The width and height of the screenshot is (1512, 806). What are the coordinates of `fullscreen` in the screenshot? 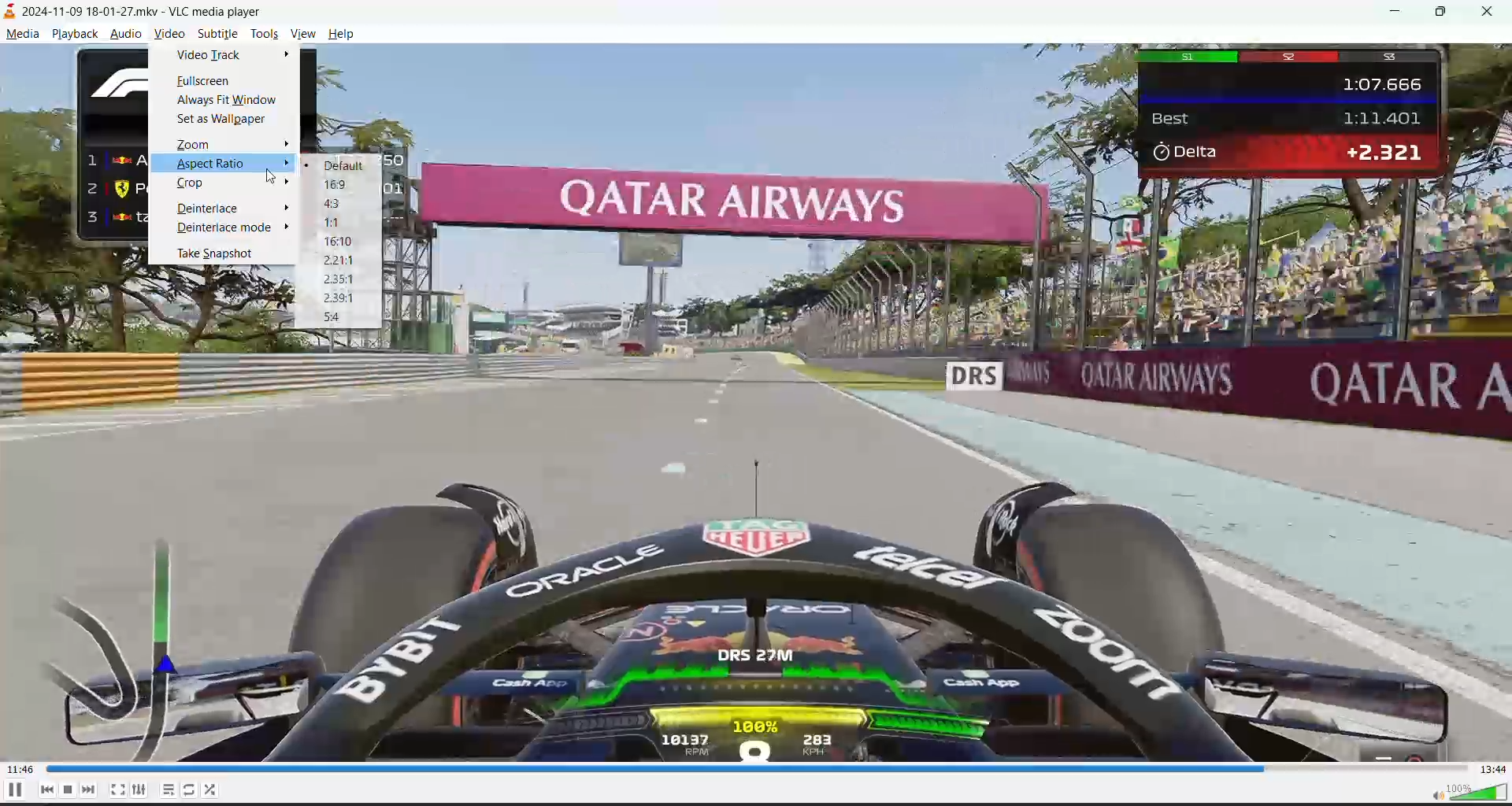 It's located at (206, 83).